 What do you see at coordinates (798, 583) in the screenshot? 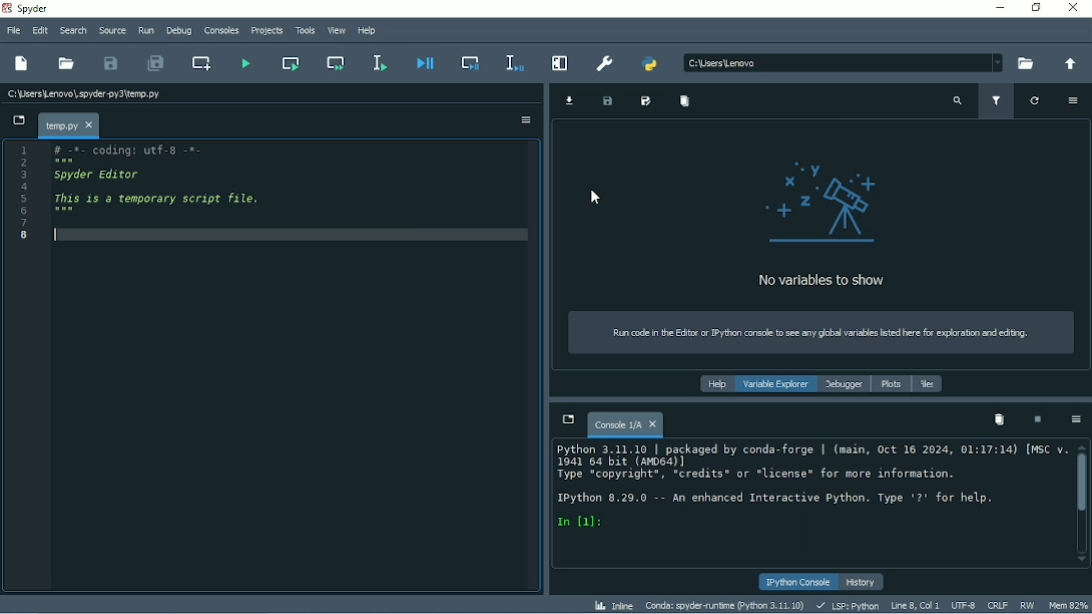
I see `IPython console` at bounding box center [798, 583].